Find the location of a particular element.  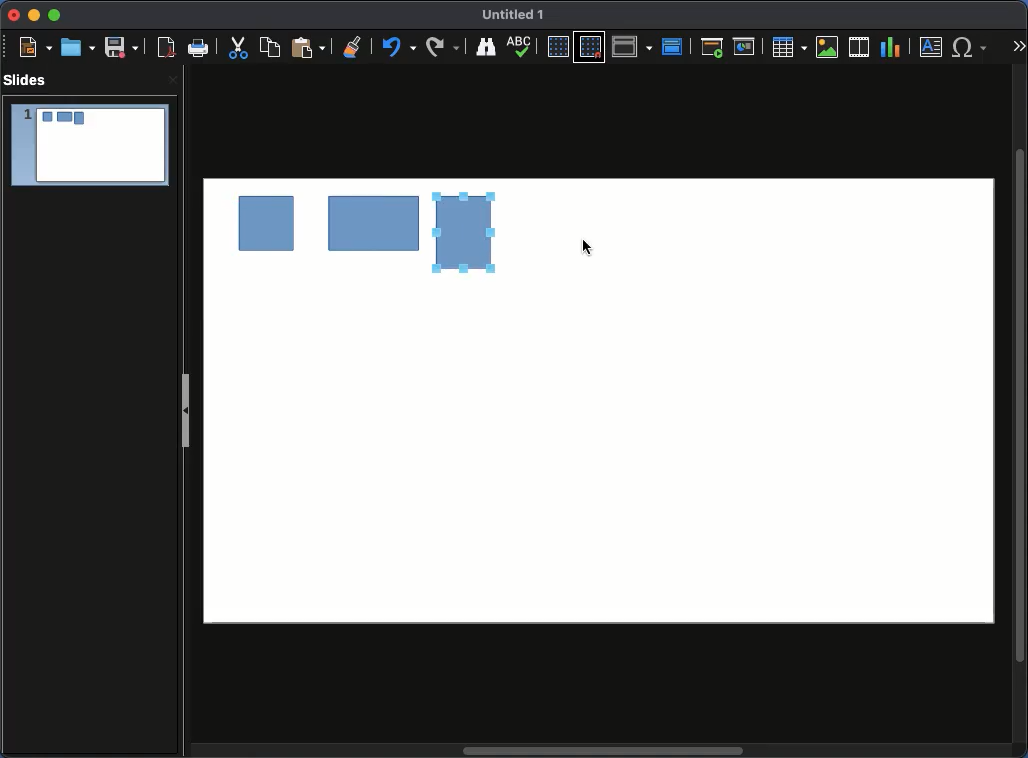

Name is located at coordinates (515, 13).